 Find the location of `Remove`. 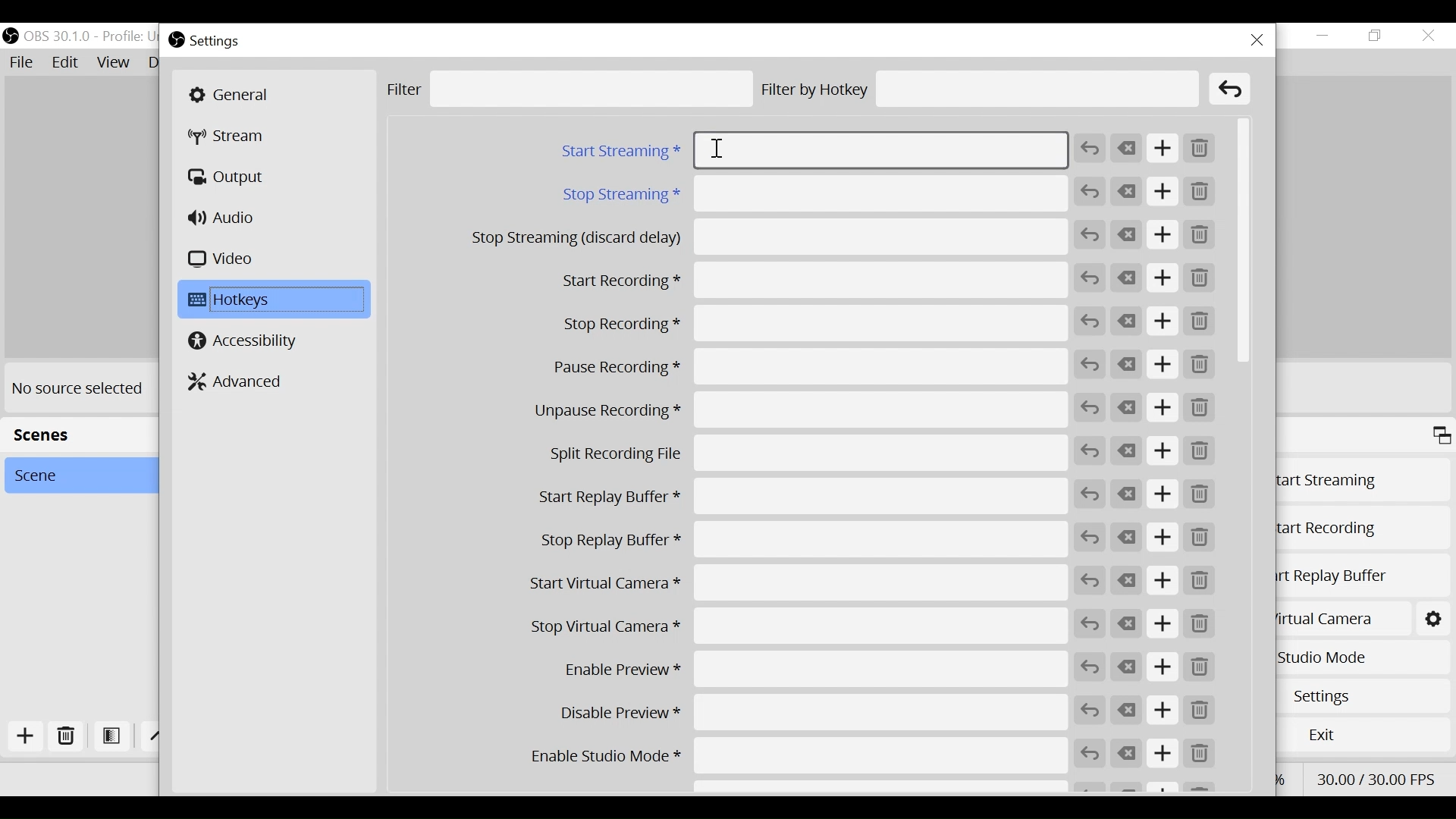

Remove is located at coordinates (1196, 322).